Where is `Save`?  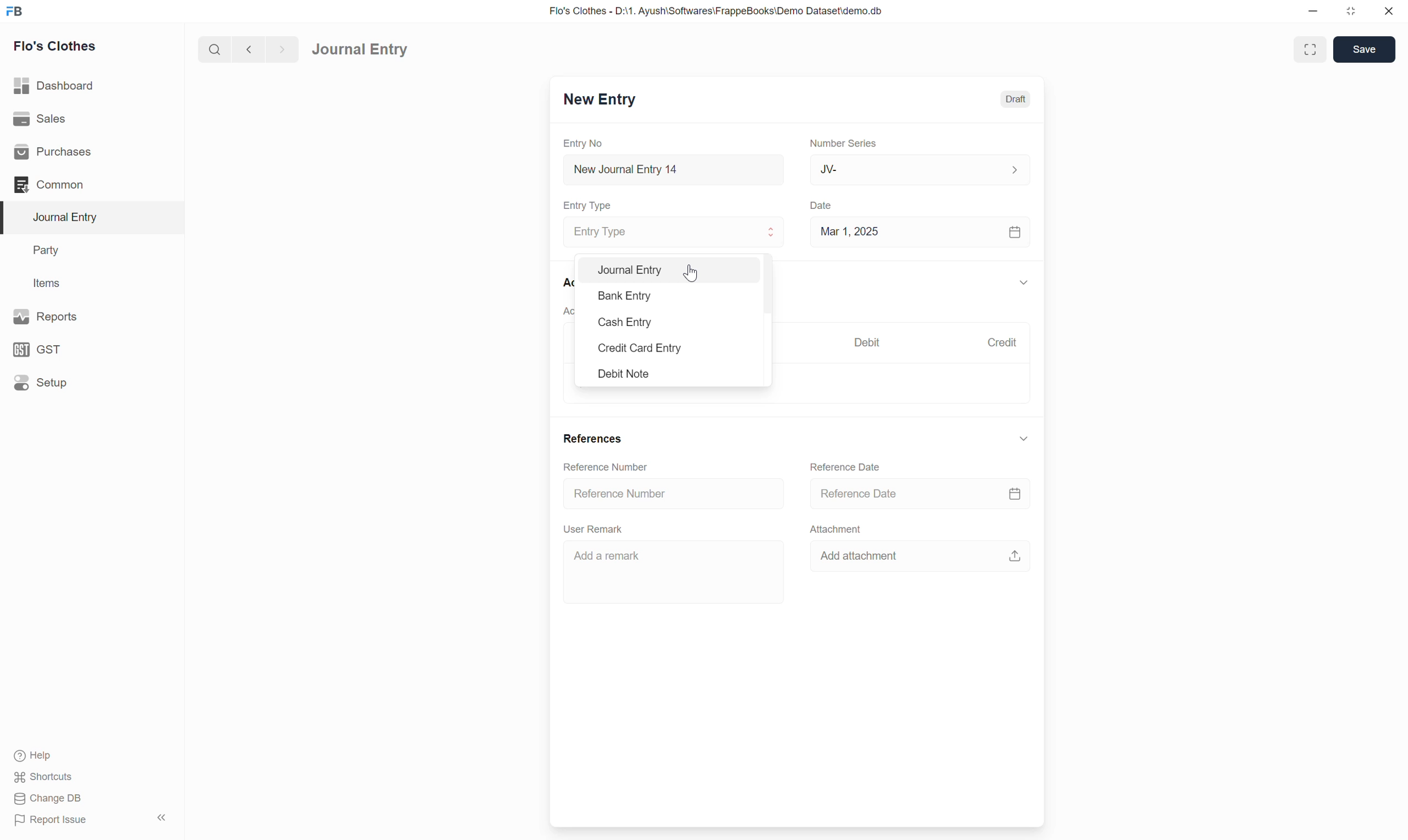 Save is located at coordinates (1365, 50).